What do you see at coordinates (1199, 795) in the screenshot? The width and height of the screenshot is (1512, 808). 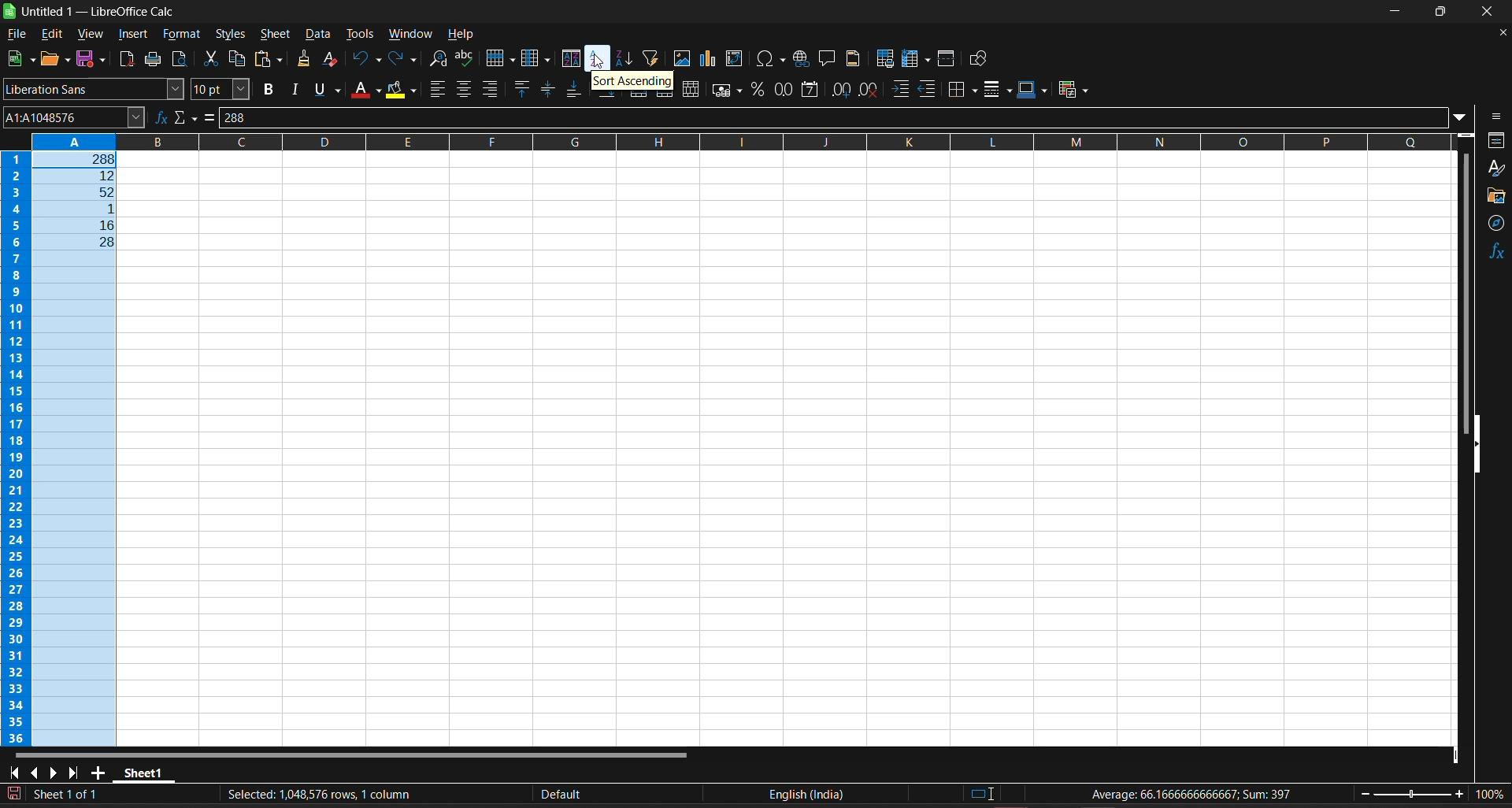 I see `formula` at bounding box center [1199, 795].